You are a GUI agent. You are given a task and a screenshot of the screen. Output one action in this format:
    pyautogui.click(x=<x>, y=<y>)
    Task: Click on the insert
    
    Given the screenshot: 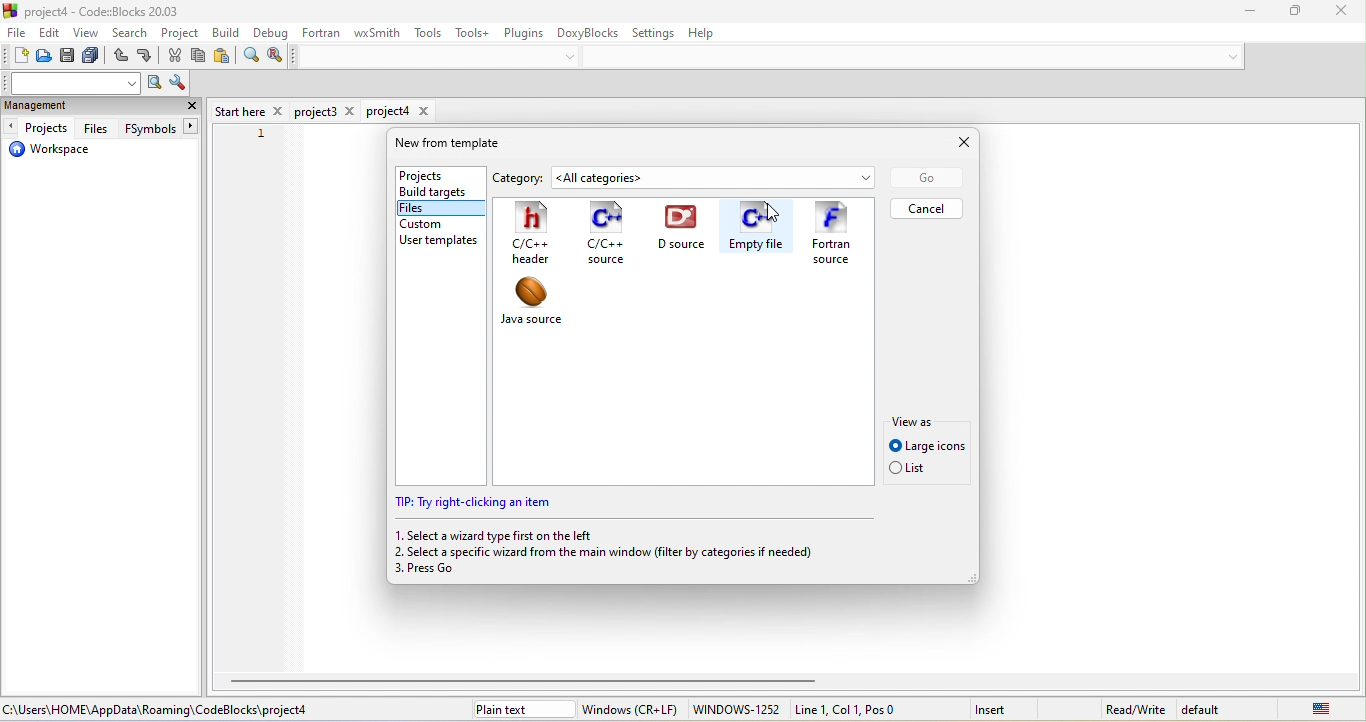 What is the action you would take?
    pyautogui.click(x=1003, y=708)
    